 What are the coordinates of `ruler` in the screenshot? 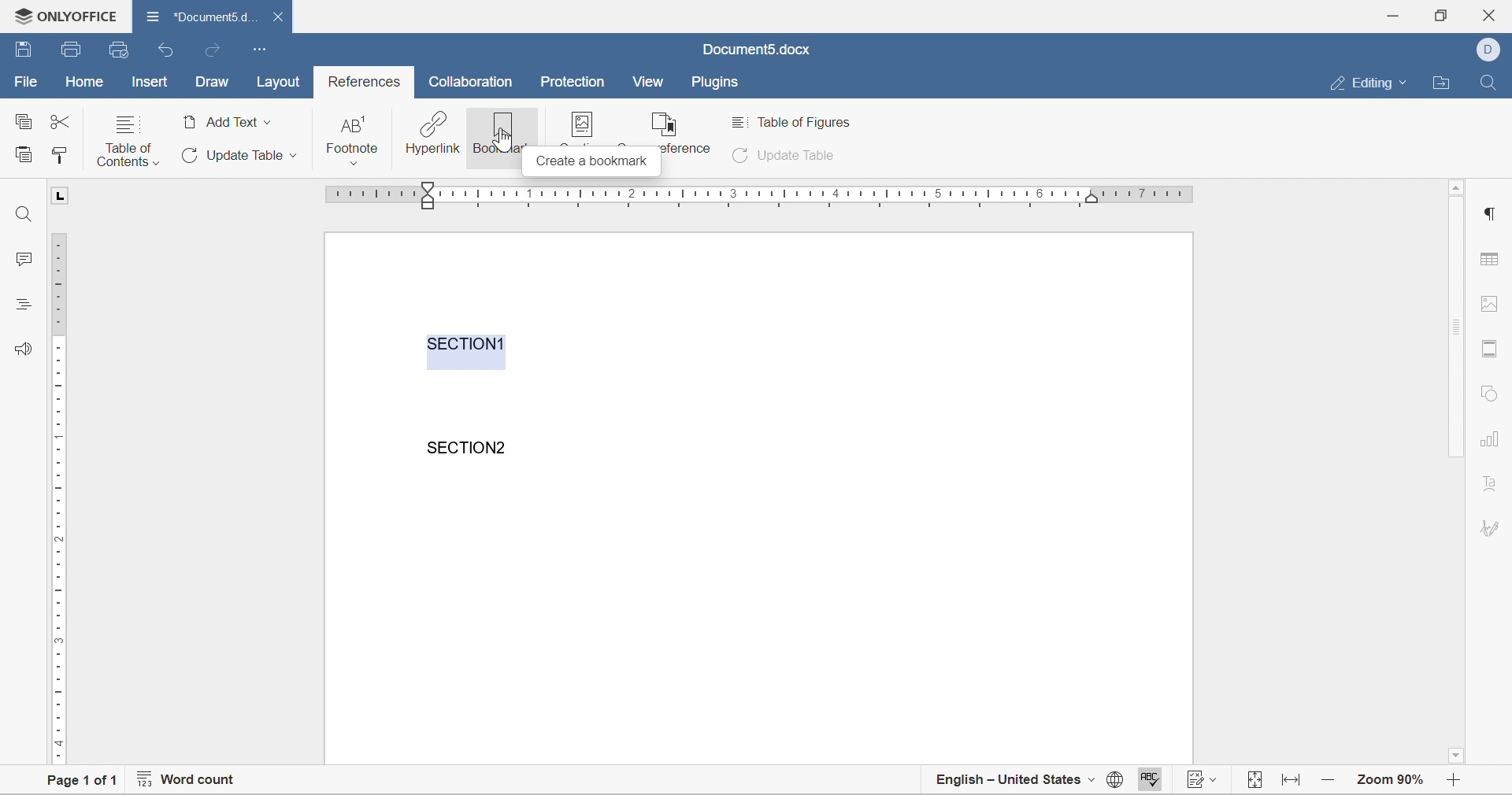 It's located at (761, 194).